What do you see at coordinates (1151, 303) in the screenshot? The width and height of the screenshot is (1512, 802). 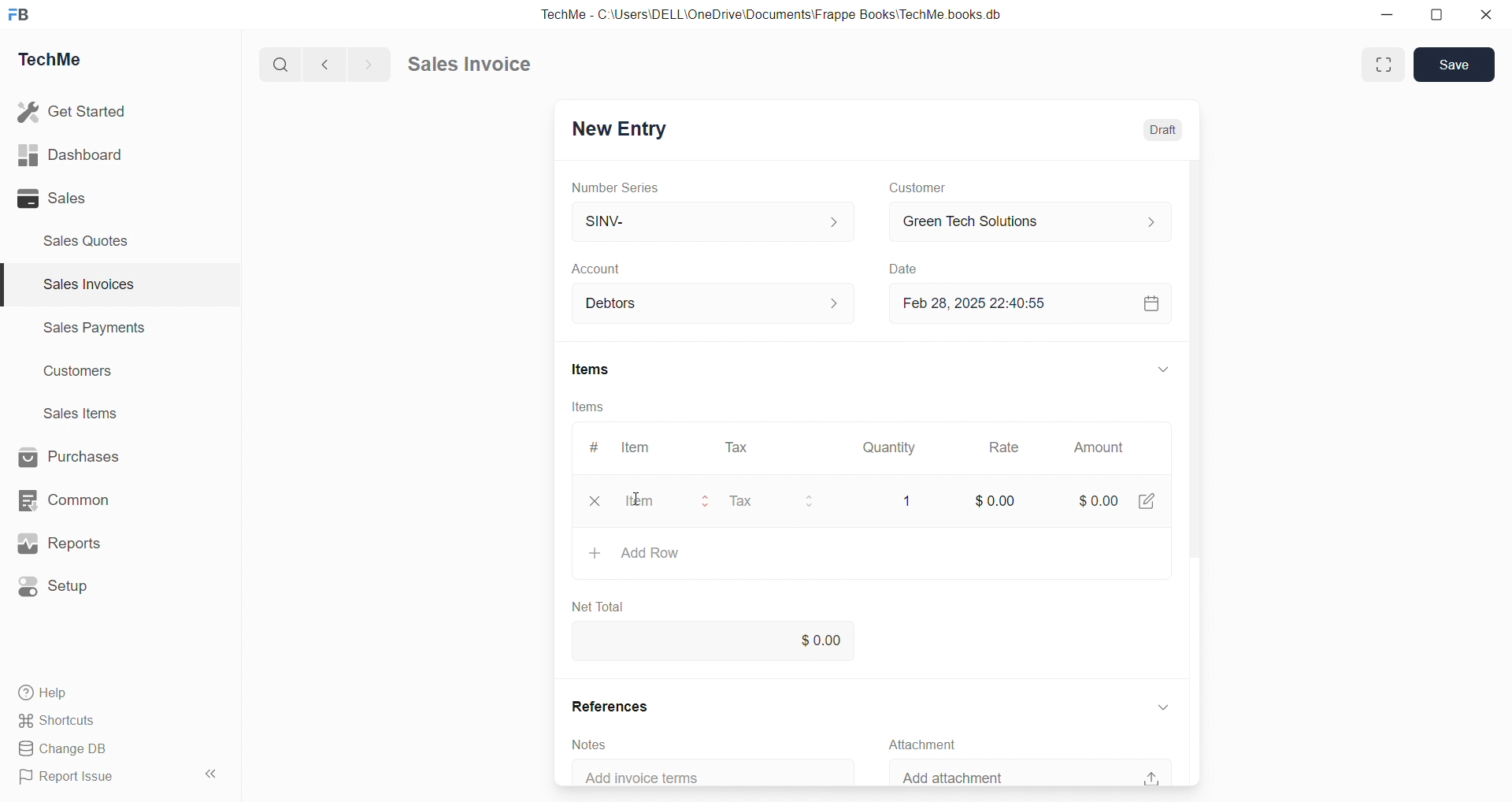 I see `calendar` at bounding box center [1151, 303].